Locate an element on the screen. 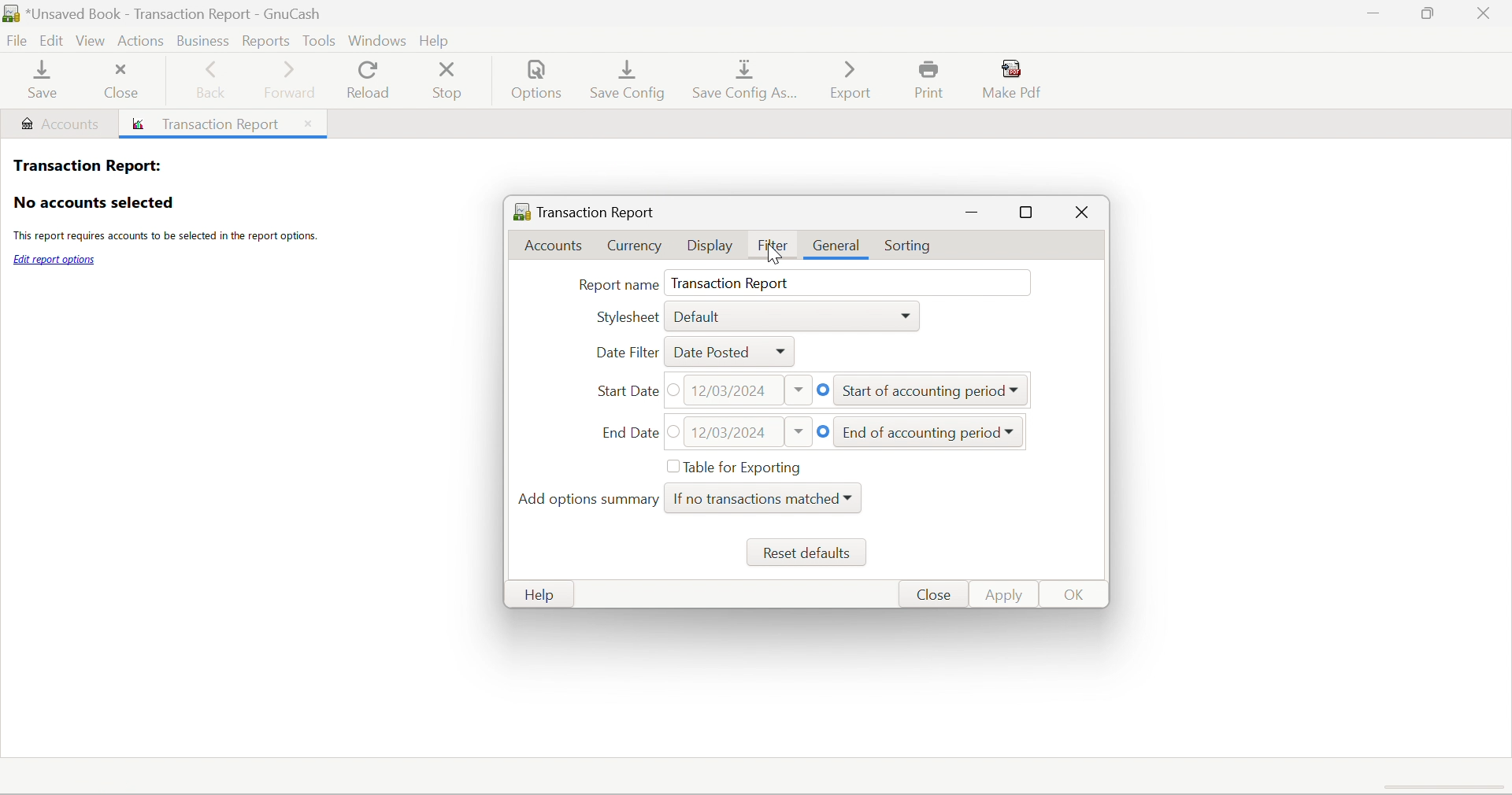 This screenshot has width=1512, height=795. Checkbox is located at coordinates (825, 390).